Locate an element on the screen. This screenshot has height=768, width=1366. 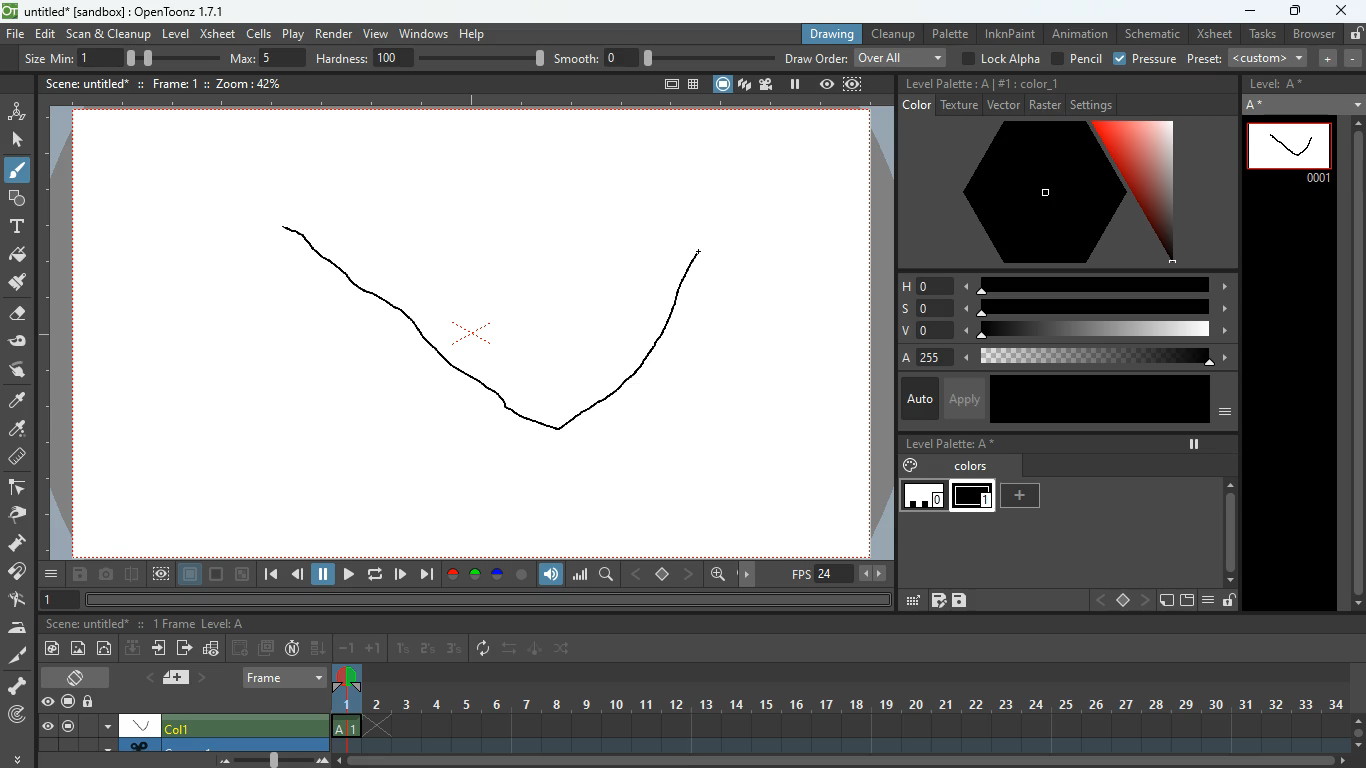
a is located at coordinates (18, 401).